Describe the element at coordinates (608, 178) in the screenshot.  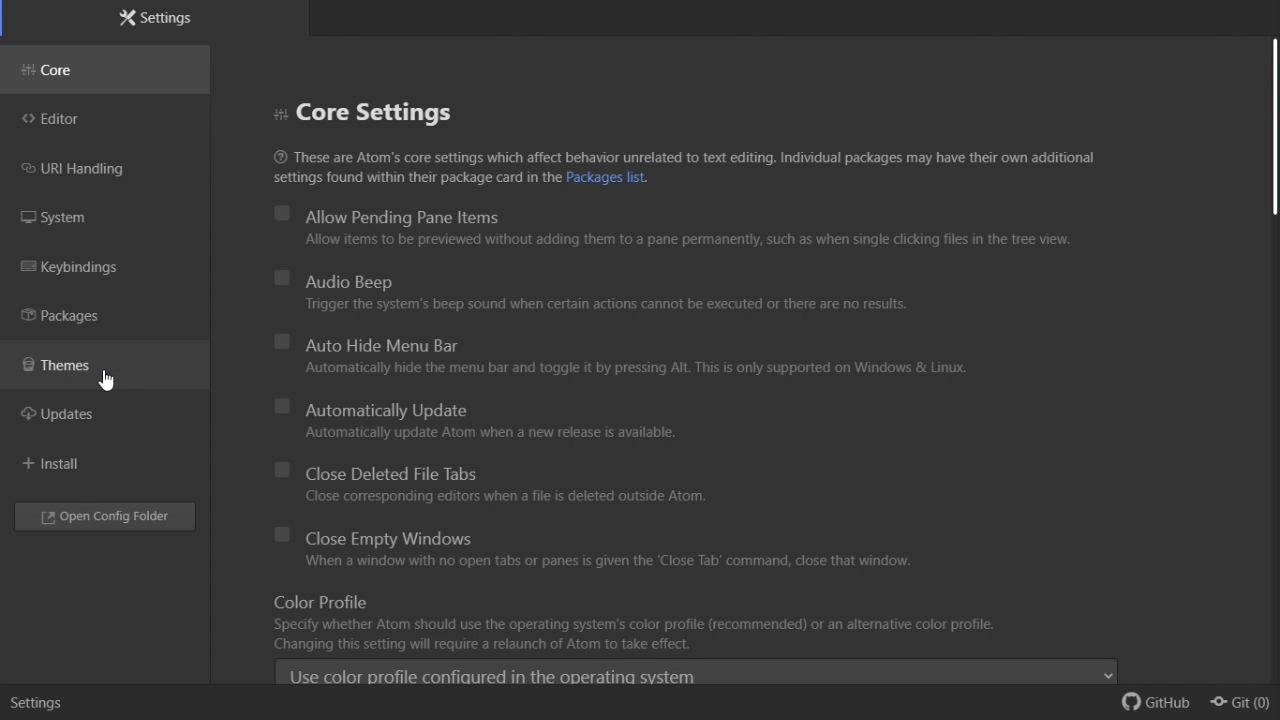
I see `hyperlink` at that location.